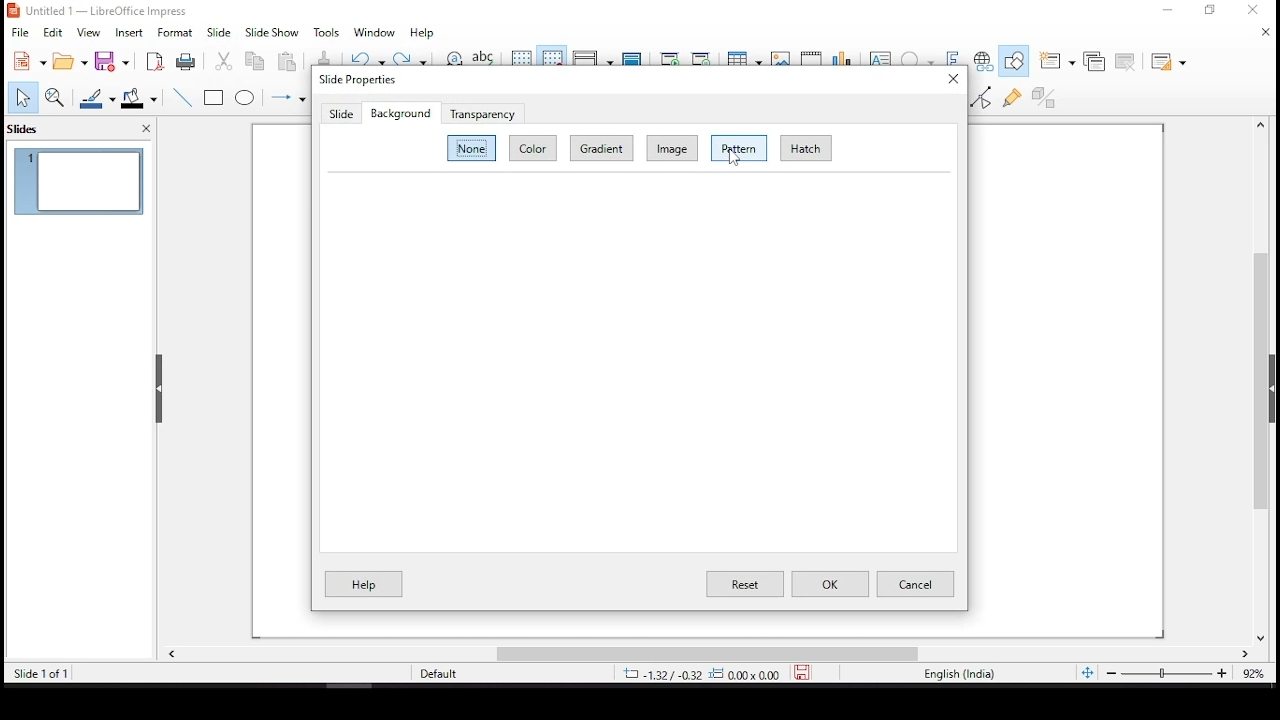  I want to click on help, so click(424, 31).